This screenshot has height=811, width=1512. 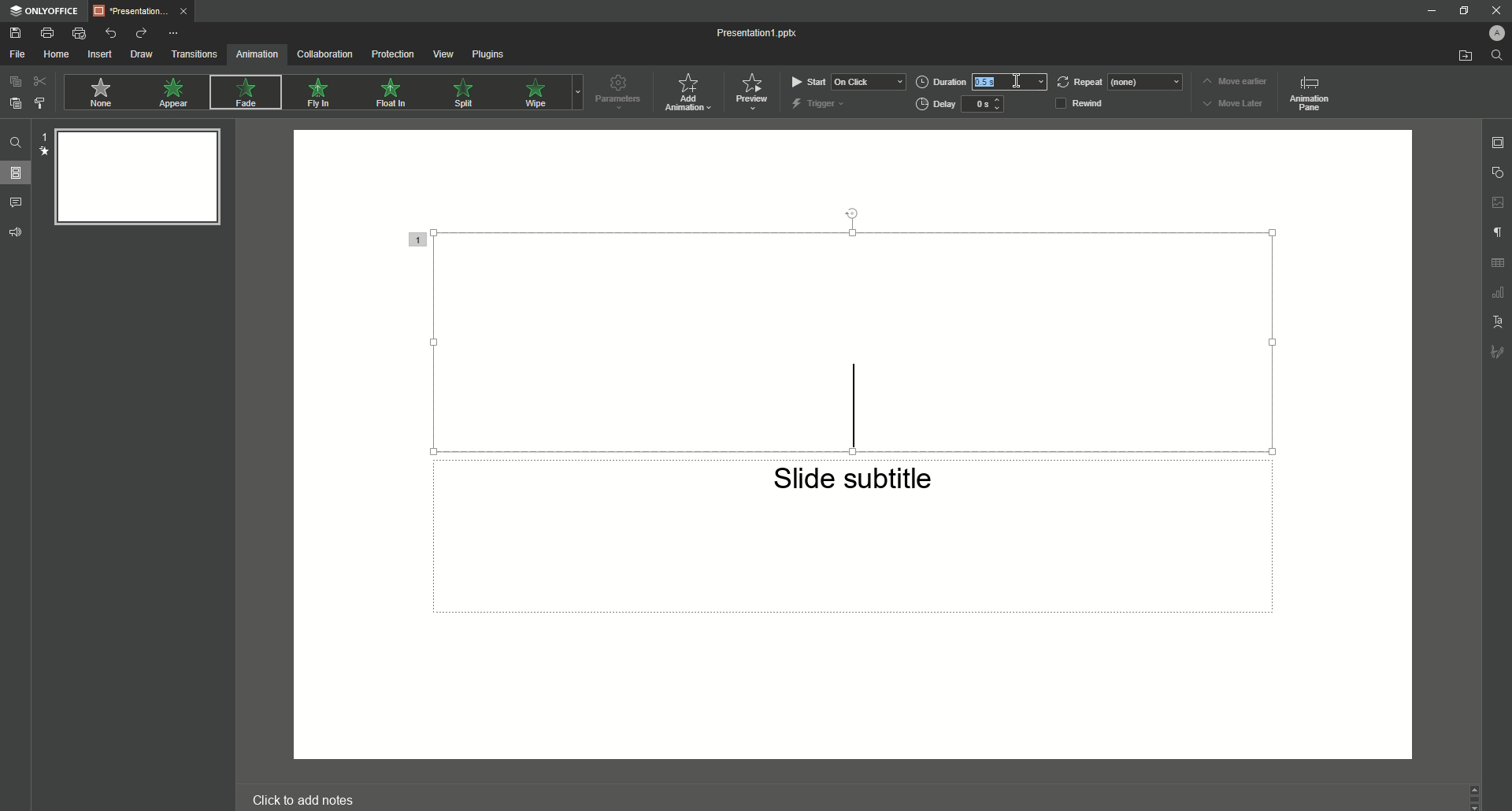 What do you see at coordinates (15, 102) in the screenshot?
I see `Paste` at bounding box center [15, 102].